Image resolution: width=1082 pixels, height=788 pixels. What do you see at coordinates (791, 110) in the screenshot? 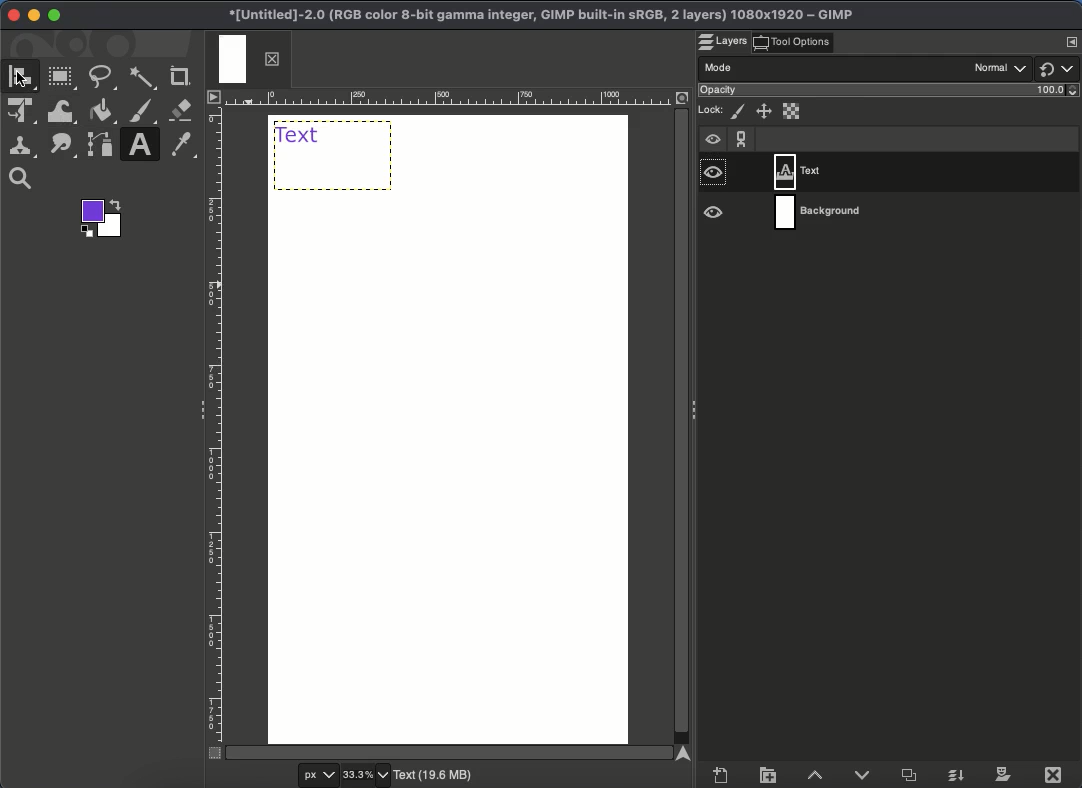
I see `Alpha` at bounding box center [791, 110].